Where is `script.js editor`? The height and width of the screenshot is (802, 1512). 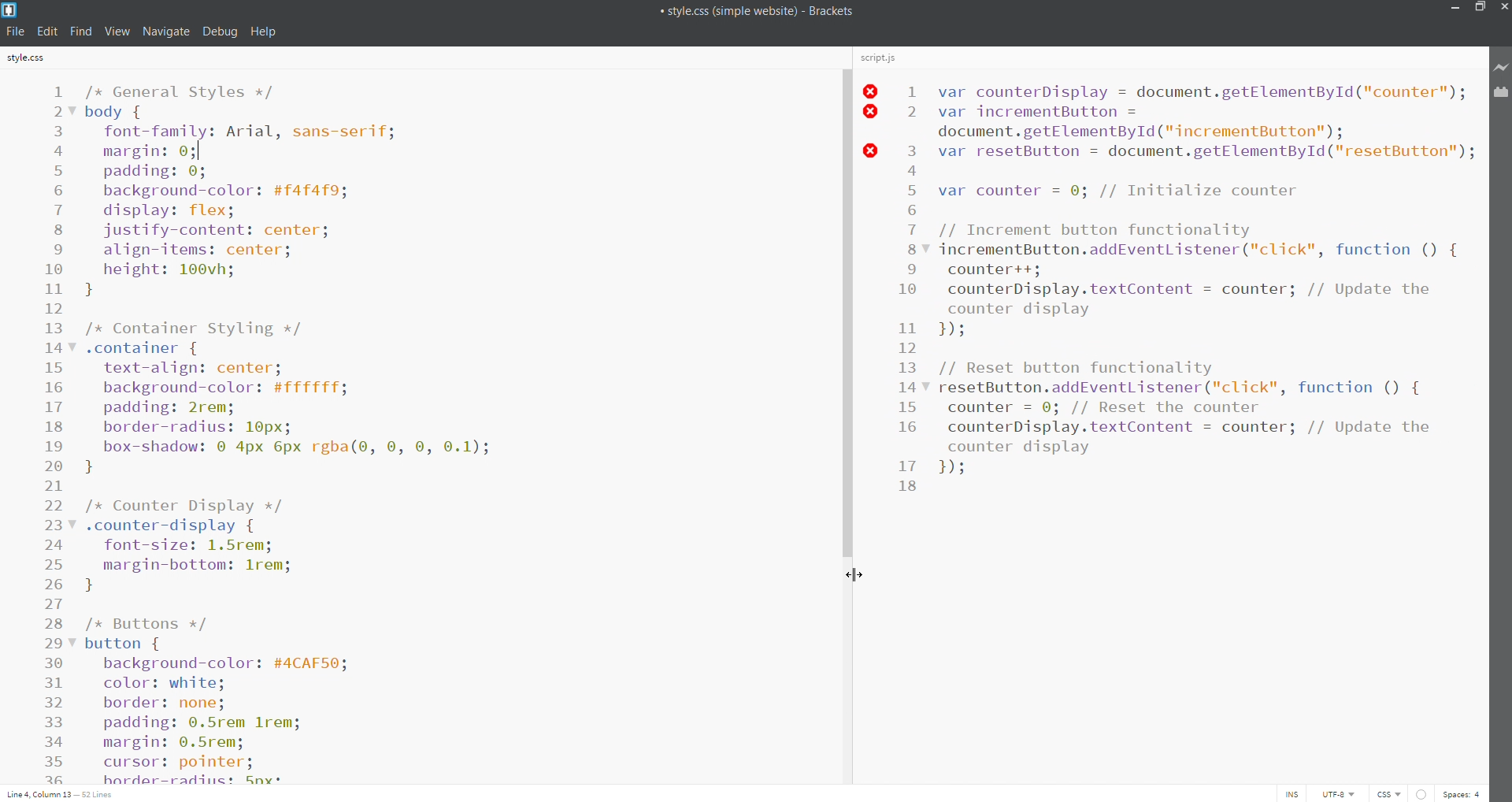
script.js editor is located at coordinates (1202, 429).